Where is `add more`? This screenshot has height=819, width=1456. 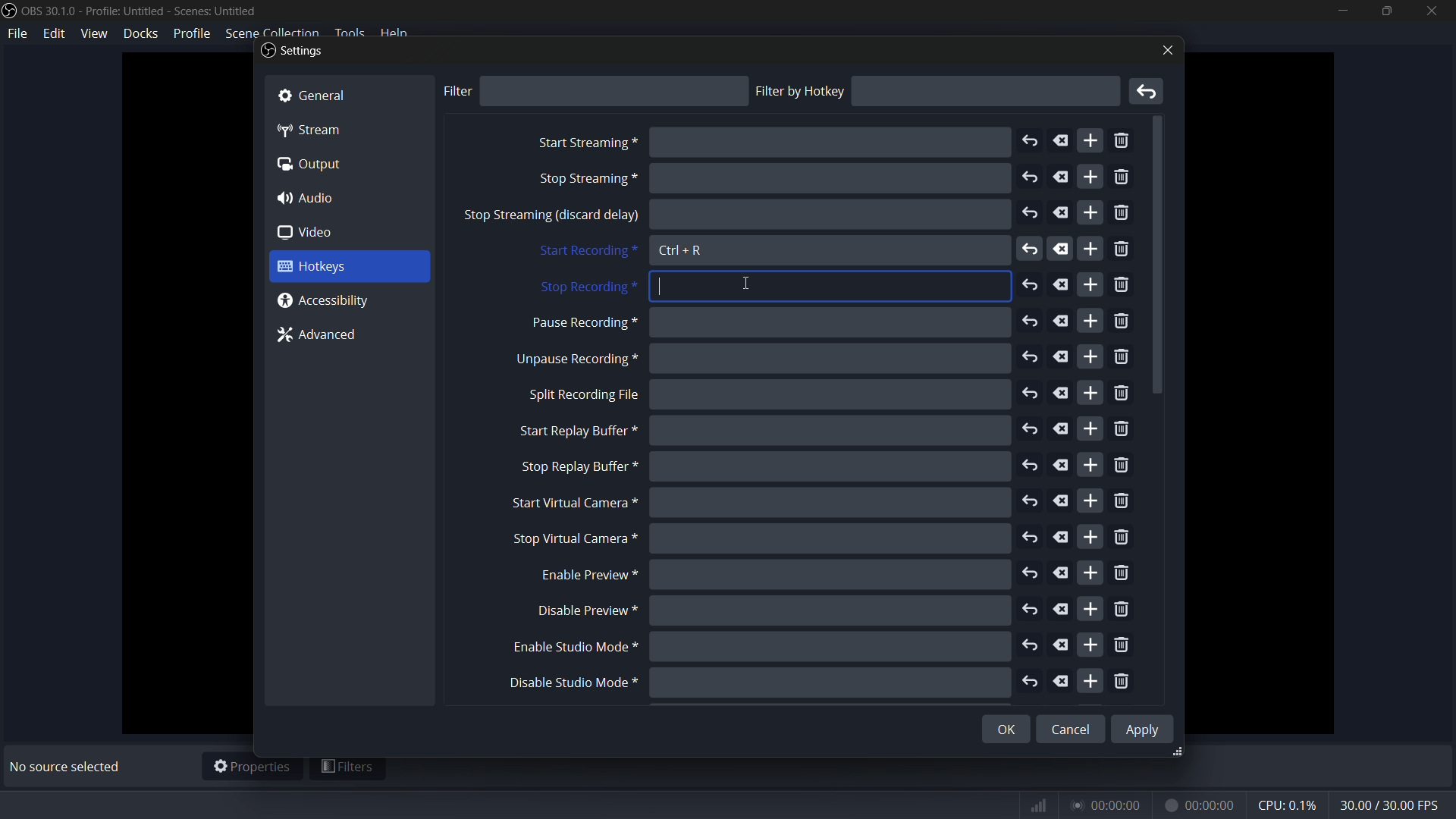 add more is located at coordinates (1090, 356).